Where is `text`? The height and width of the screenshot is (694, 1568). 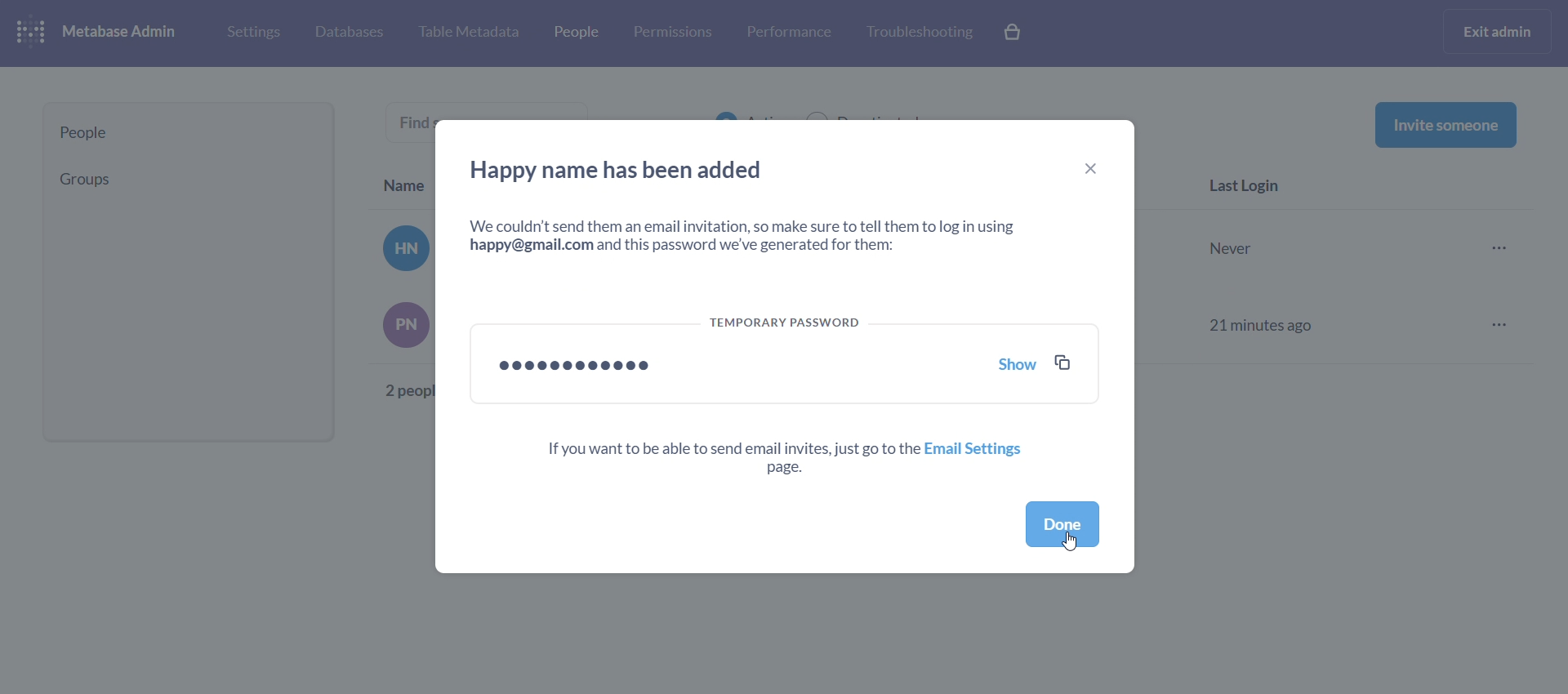
text is located at coordinates (409, 389).